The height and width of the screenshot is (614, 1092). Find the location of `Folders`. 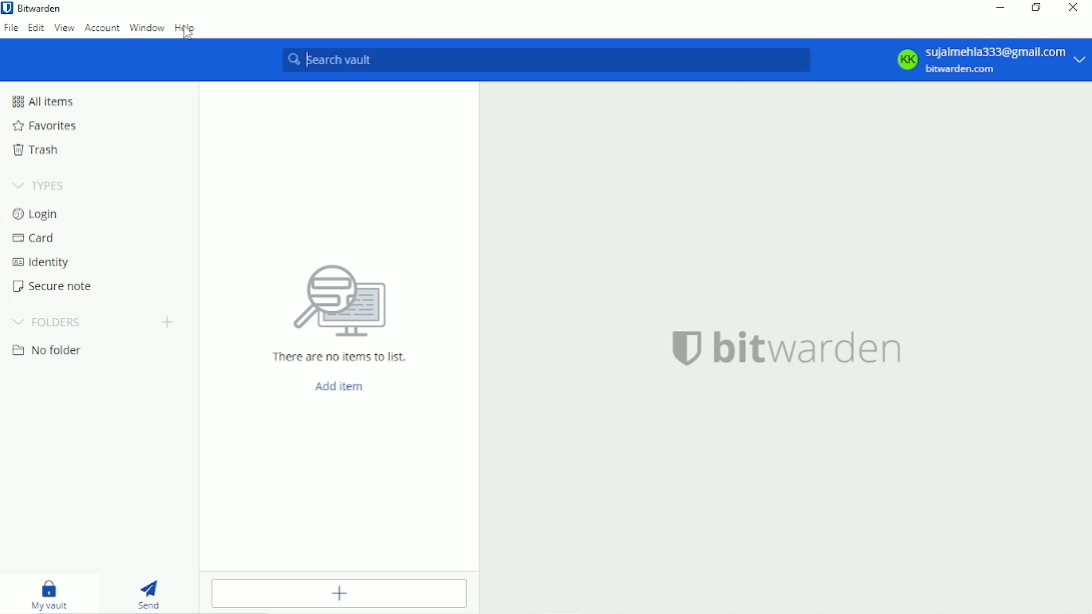

Folders is located at coordinates (48, 319).